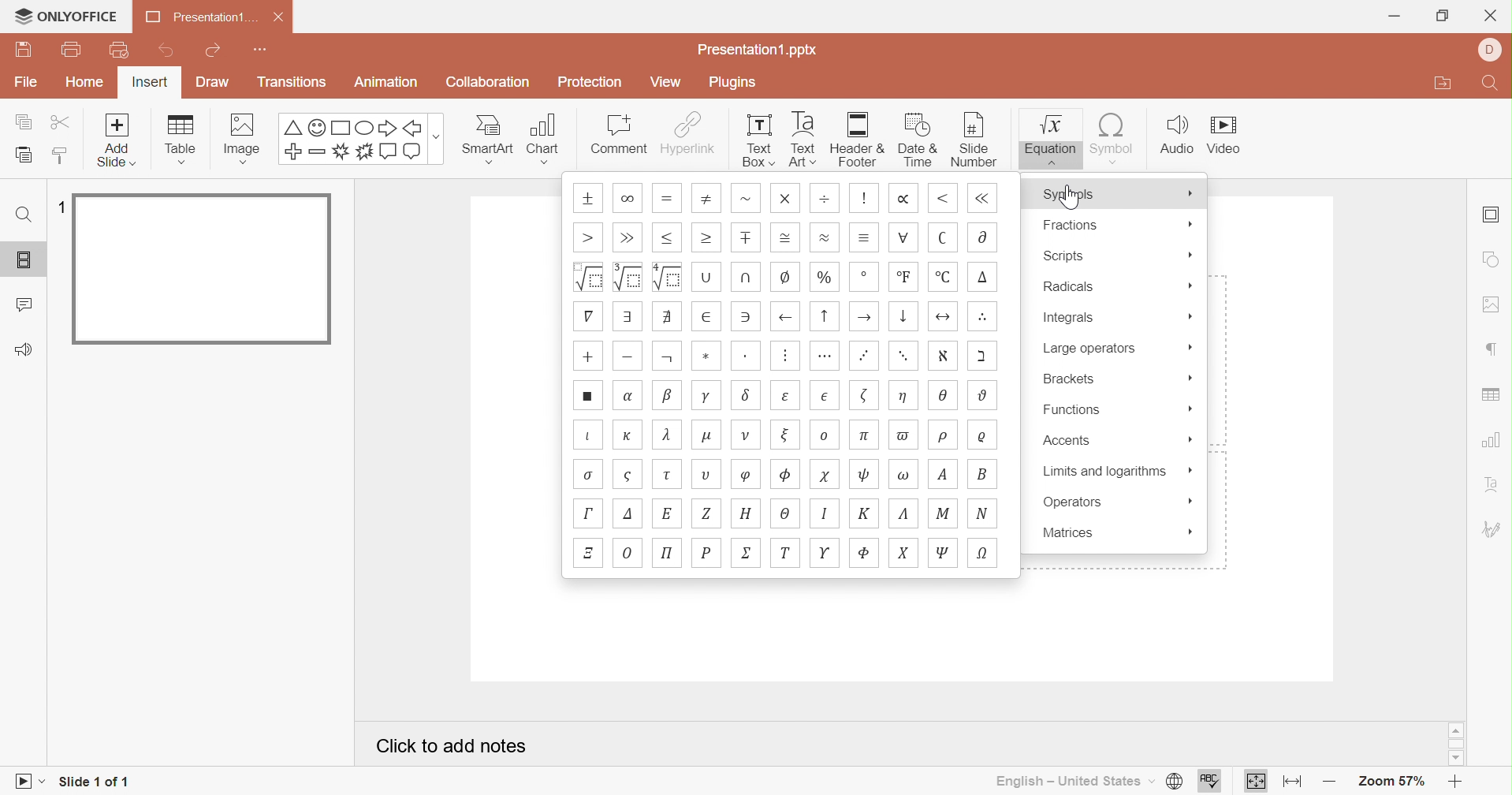 Image resolution: width=1512 pixels, height=795 pixels. I want to click on Click to add notes, so click(449, 745).